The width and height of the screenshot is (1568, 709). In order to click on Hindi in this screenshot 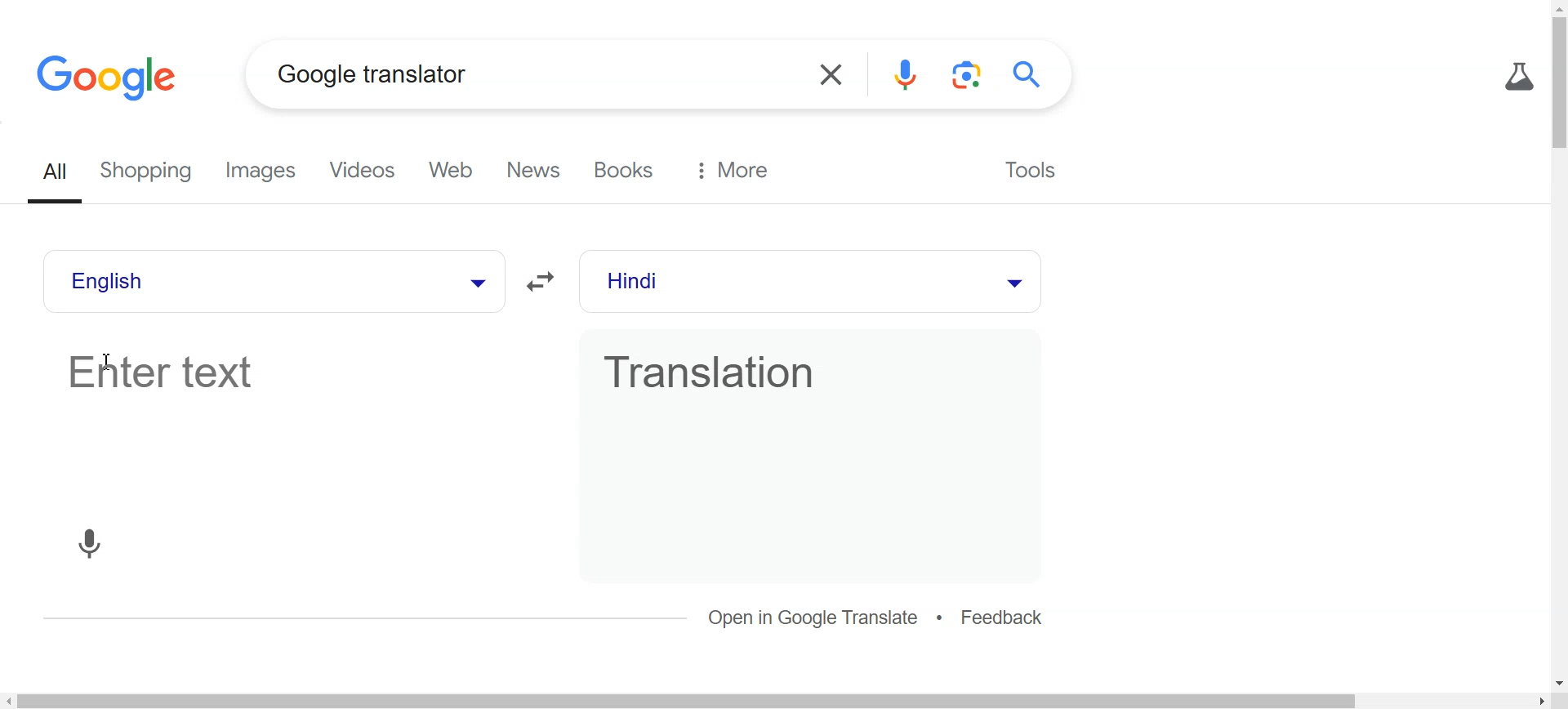, I will do `click(777, 282)`.